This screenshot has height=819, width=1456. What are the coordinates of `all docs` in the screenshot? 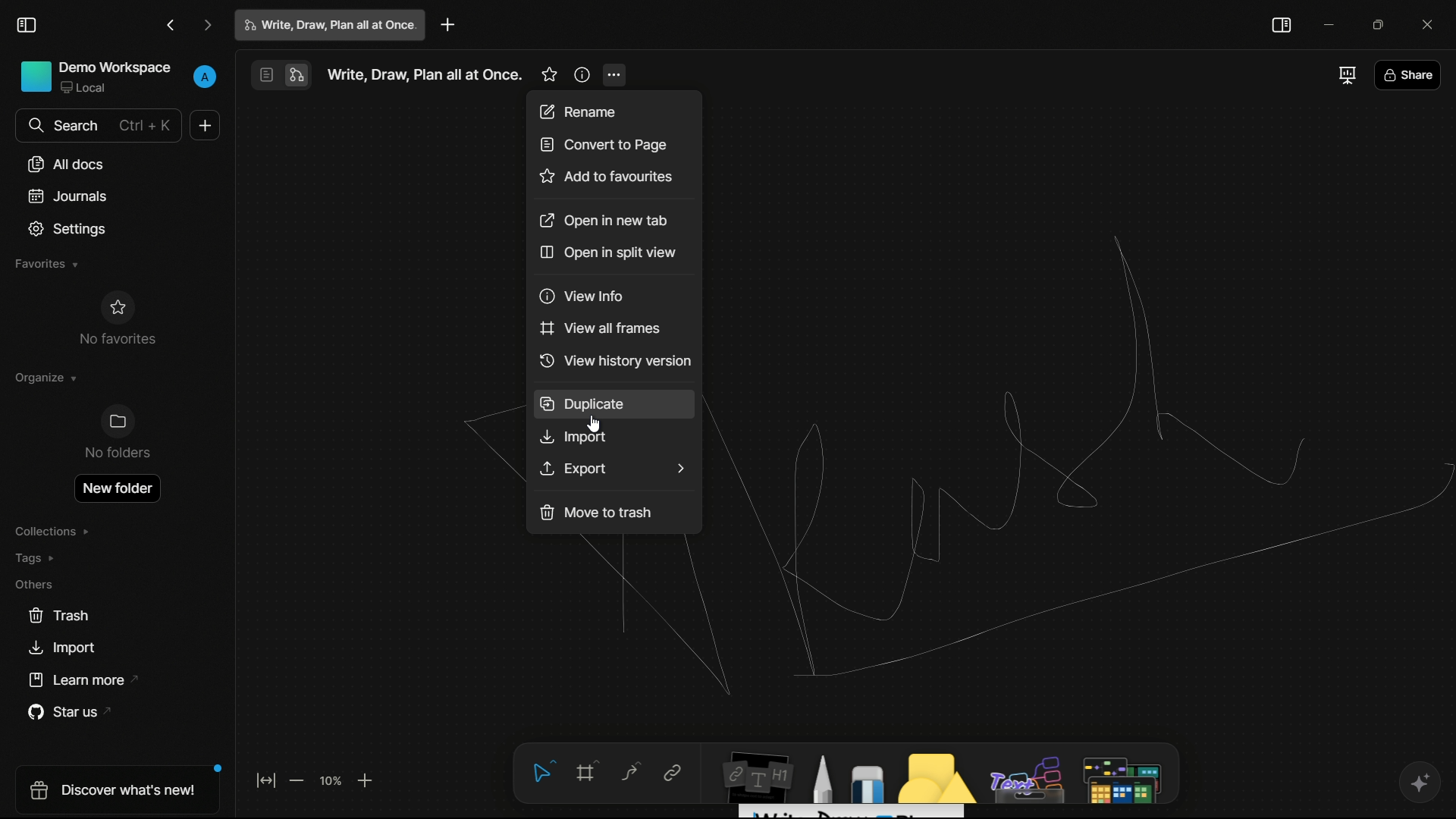 It's located at (67, 164).